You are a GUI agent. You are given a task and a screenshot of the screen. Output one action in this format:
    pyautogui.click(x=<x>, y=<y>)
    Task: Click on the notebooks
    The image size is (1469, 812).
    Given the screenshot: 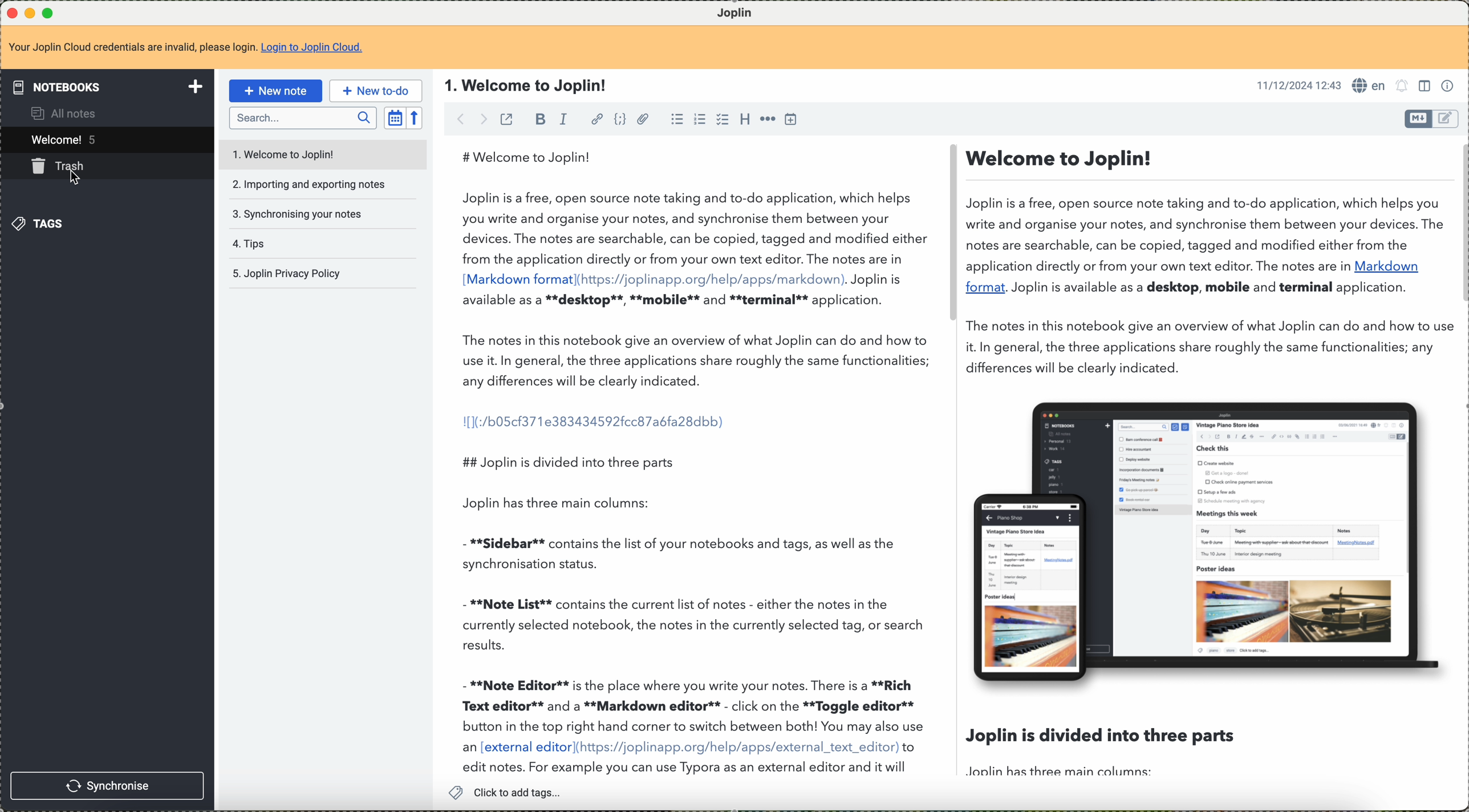 What is the action you would take?
    pyautogui.click(x=107, y=85)
    